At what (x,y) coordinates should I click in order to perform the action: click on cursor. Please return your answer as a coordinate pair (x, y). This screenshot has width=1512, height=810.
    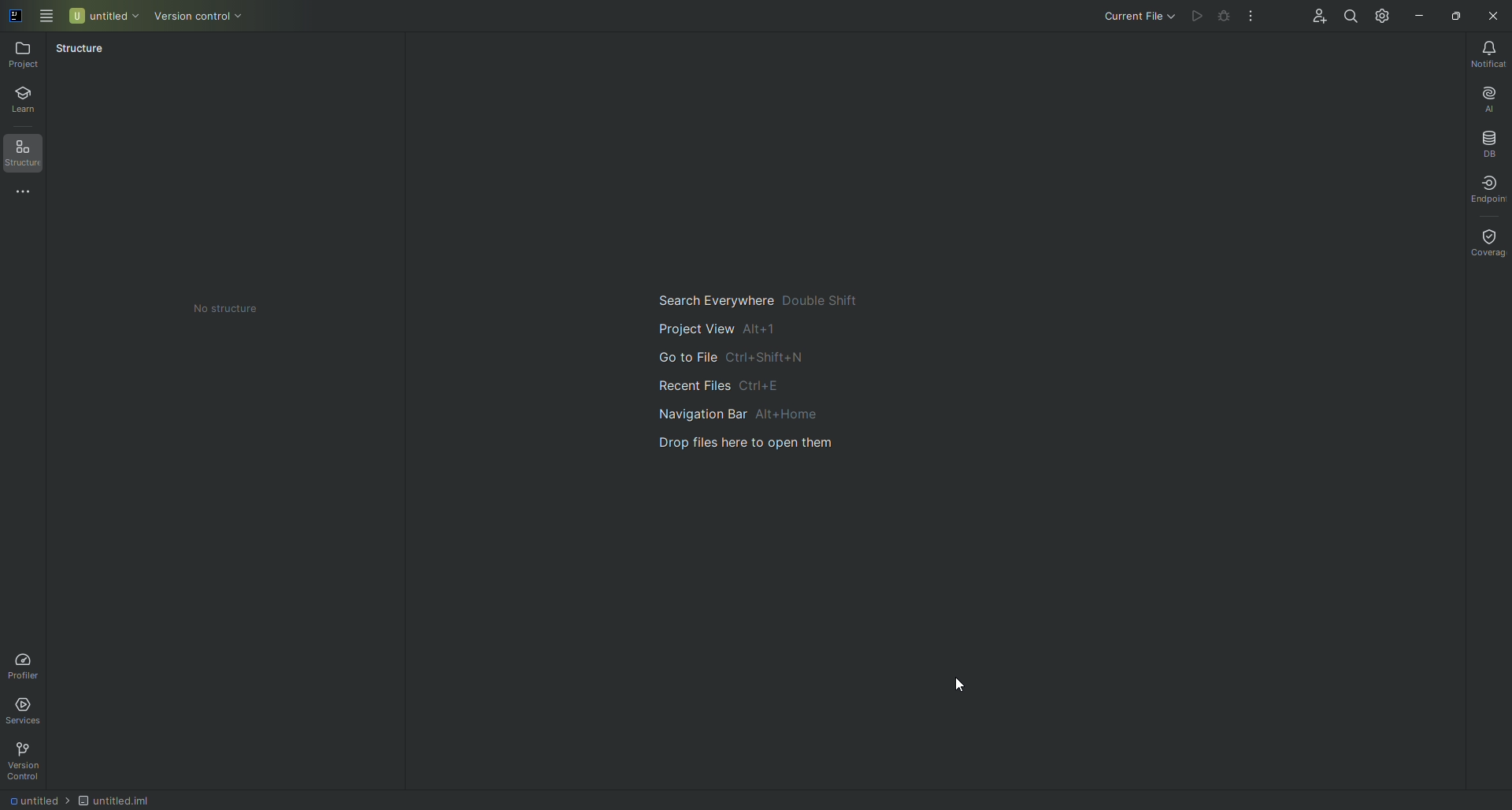
    Looking at the image, I should click on (965, 684).